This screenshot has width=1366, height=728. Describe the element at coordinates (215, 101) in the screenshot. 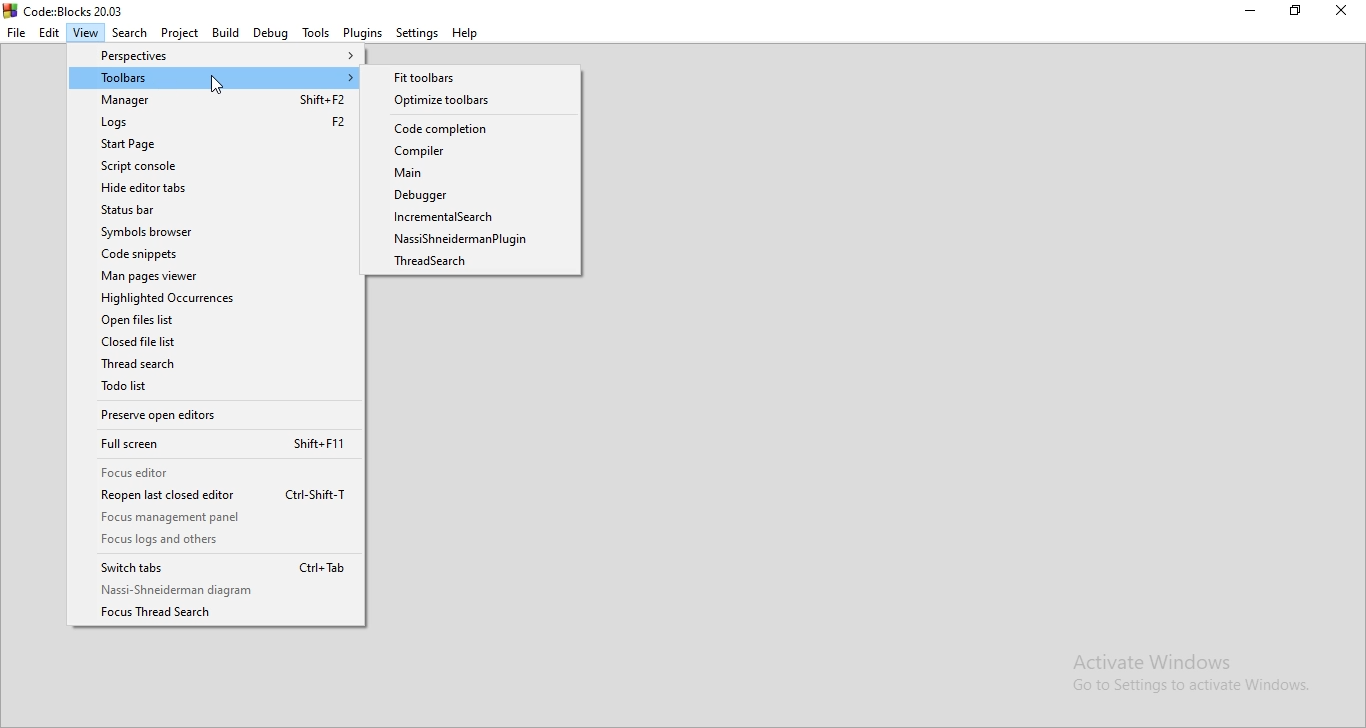

I see `Manager` at that location.